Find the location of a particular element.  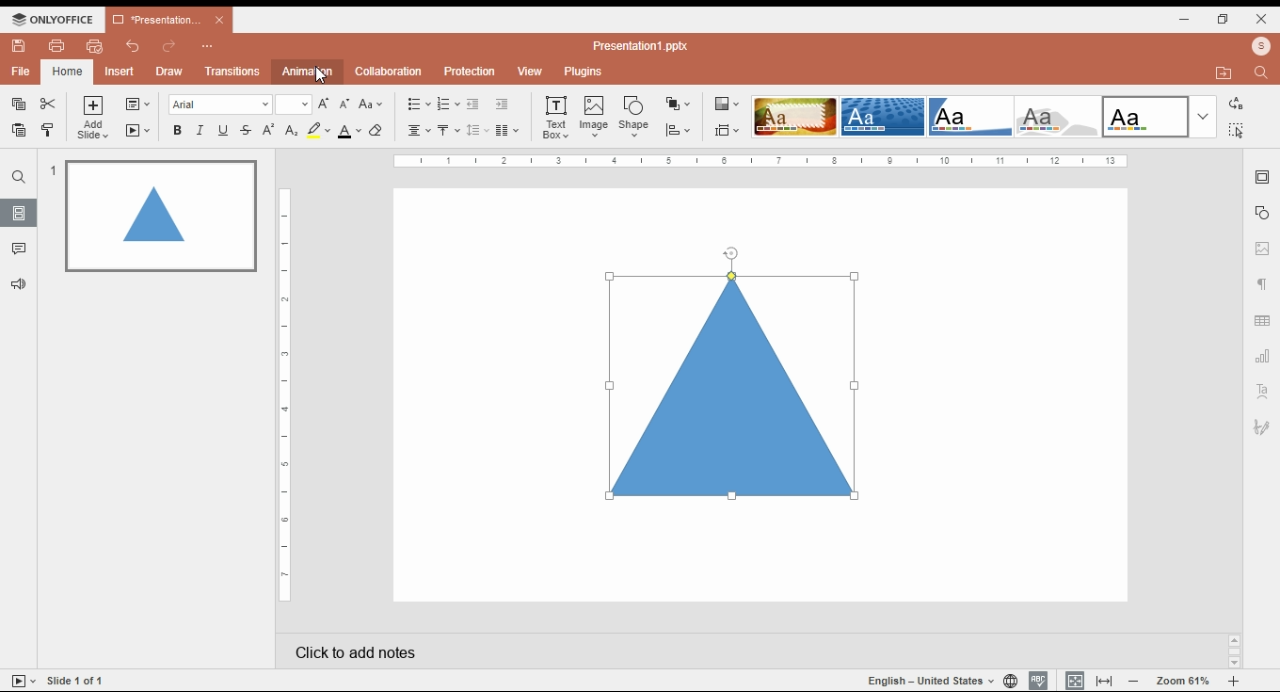

copy style is located at coordinates (48, 129).